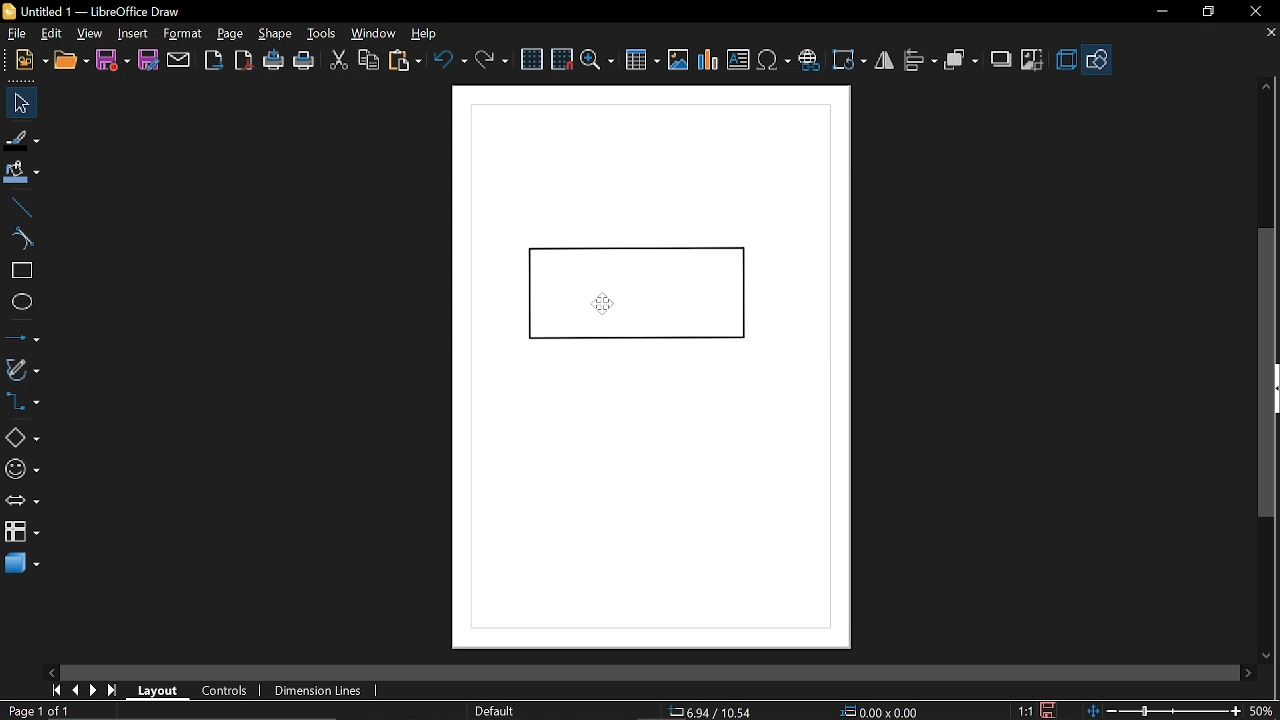 This screenshot has width=1280, height=720. I want to click on arrows, so click(22, 501).